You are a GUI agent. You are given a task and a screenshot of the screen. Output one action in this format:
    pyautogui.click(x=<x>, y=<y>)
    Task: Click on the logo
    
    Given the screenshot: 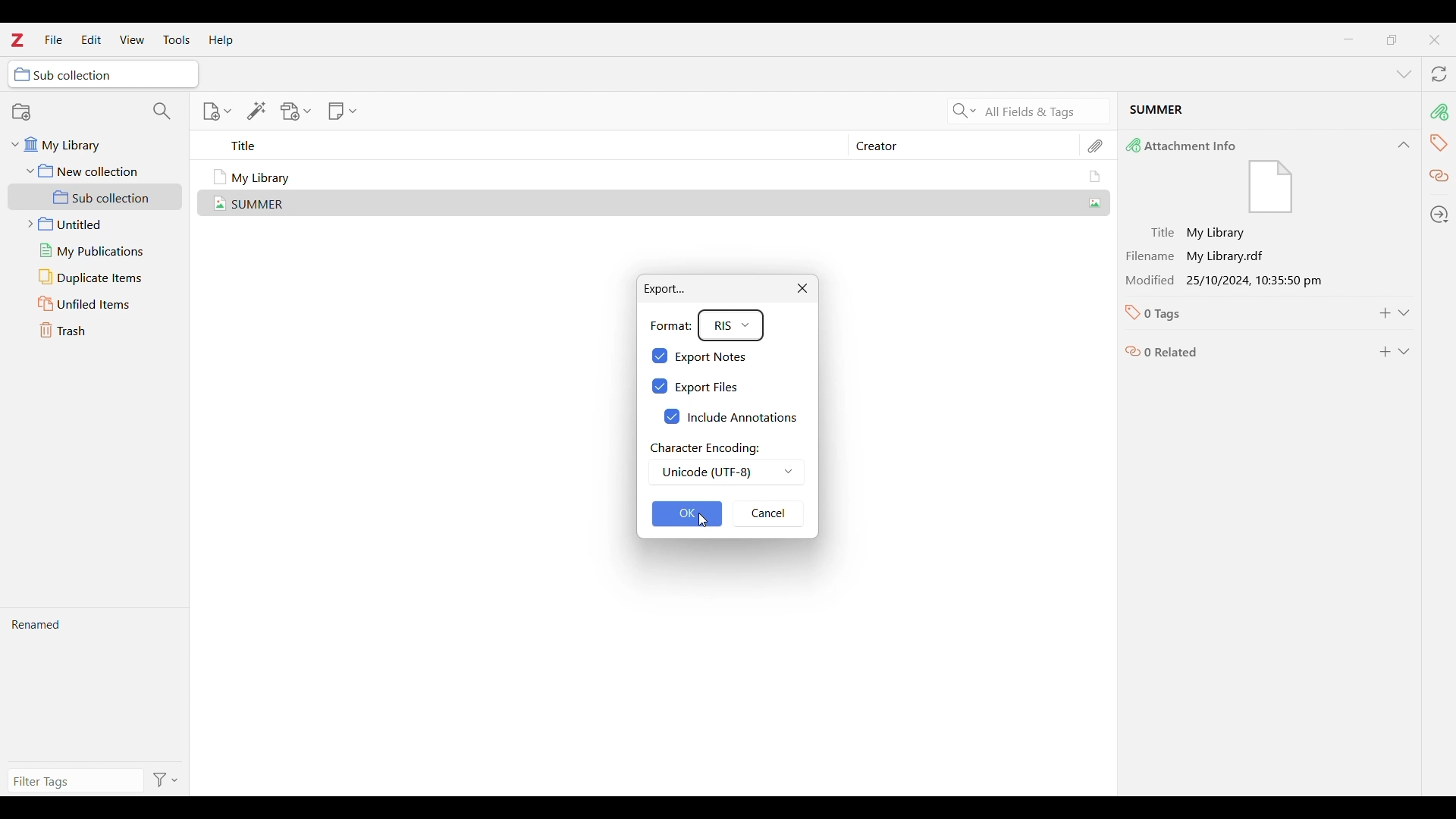 What is the action you would take?
    pyautogui.click(x=17, y=39)
    